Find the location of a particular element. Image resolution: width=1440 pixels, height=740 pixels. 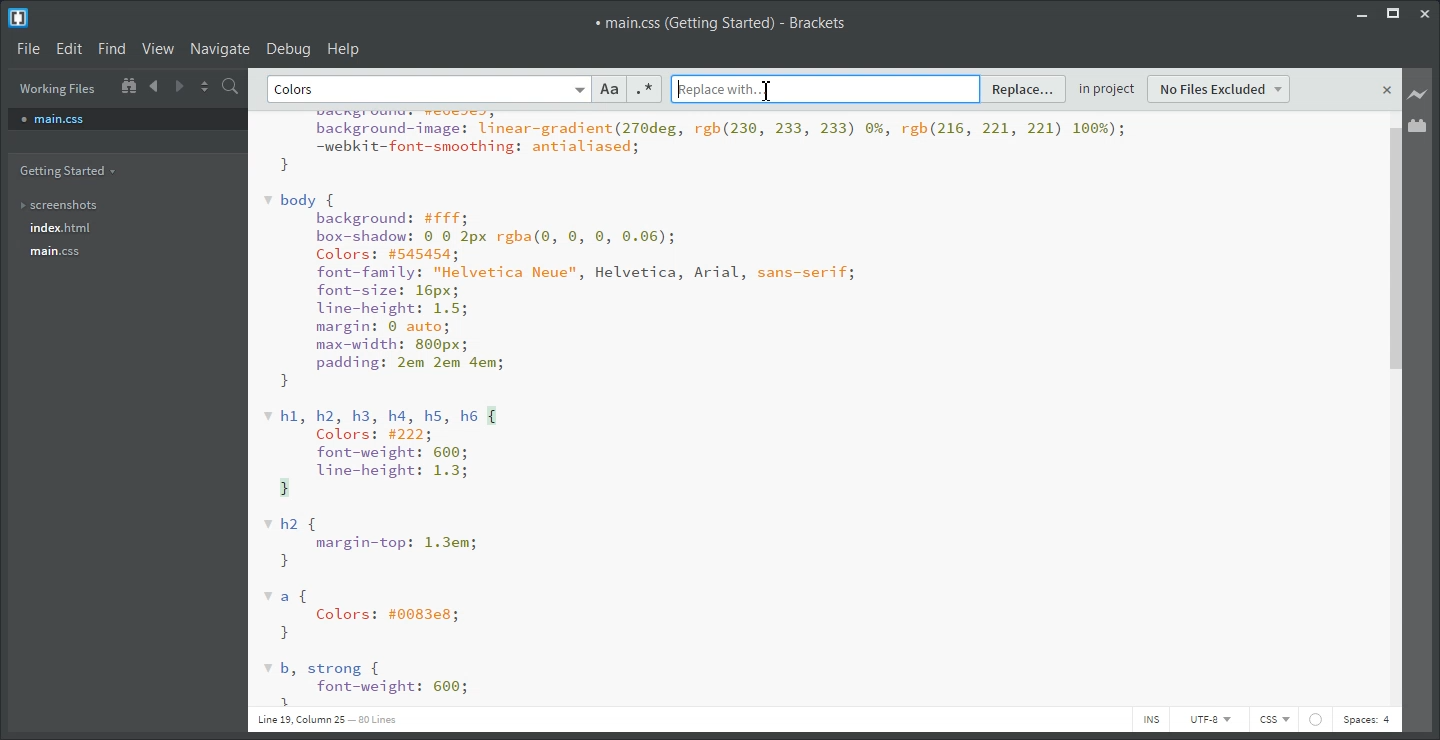

CSS is located at coordinates (1274, 720).